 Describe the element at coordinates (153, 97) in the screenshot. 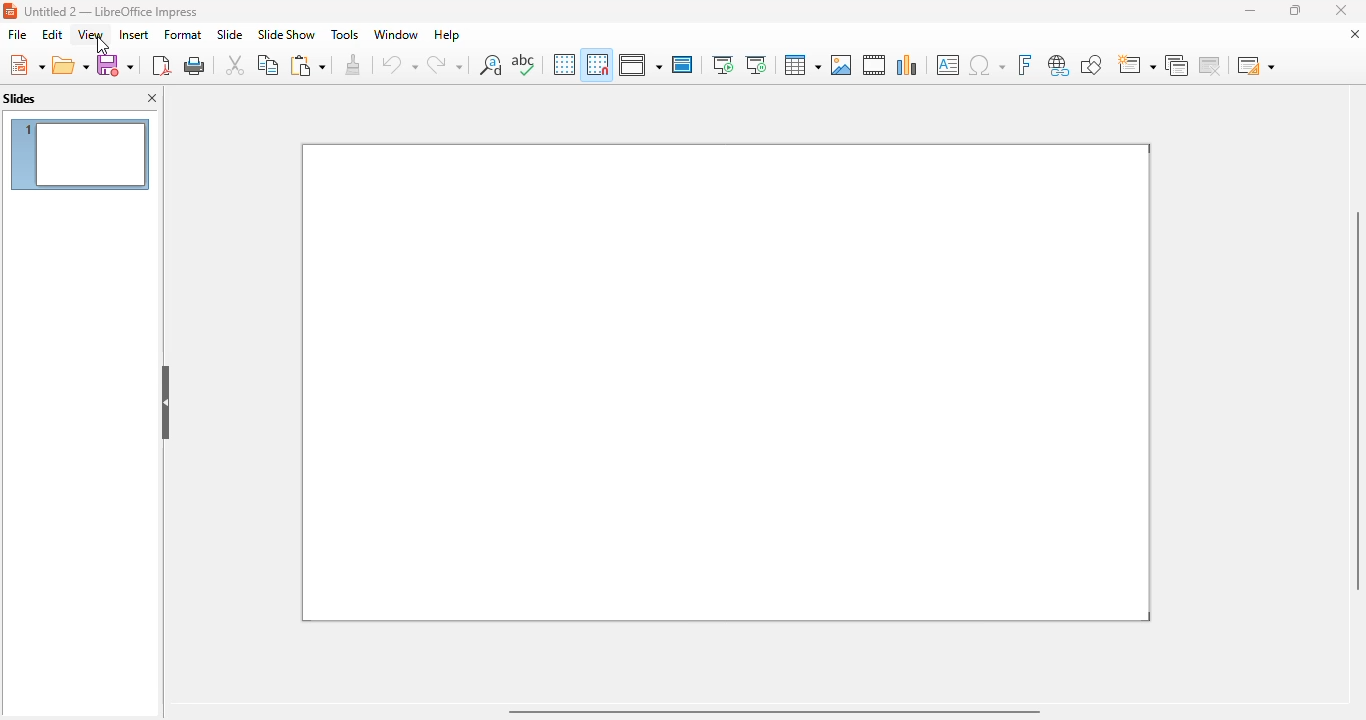

I see `close pane` at that location.